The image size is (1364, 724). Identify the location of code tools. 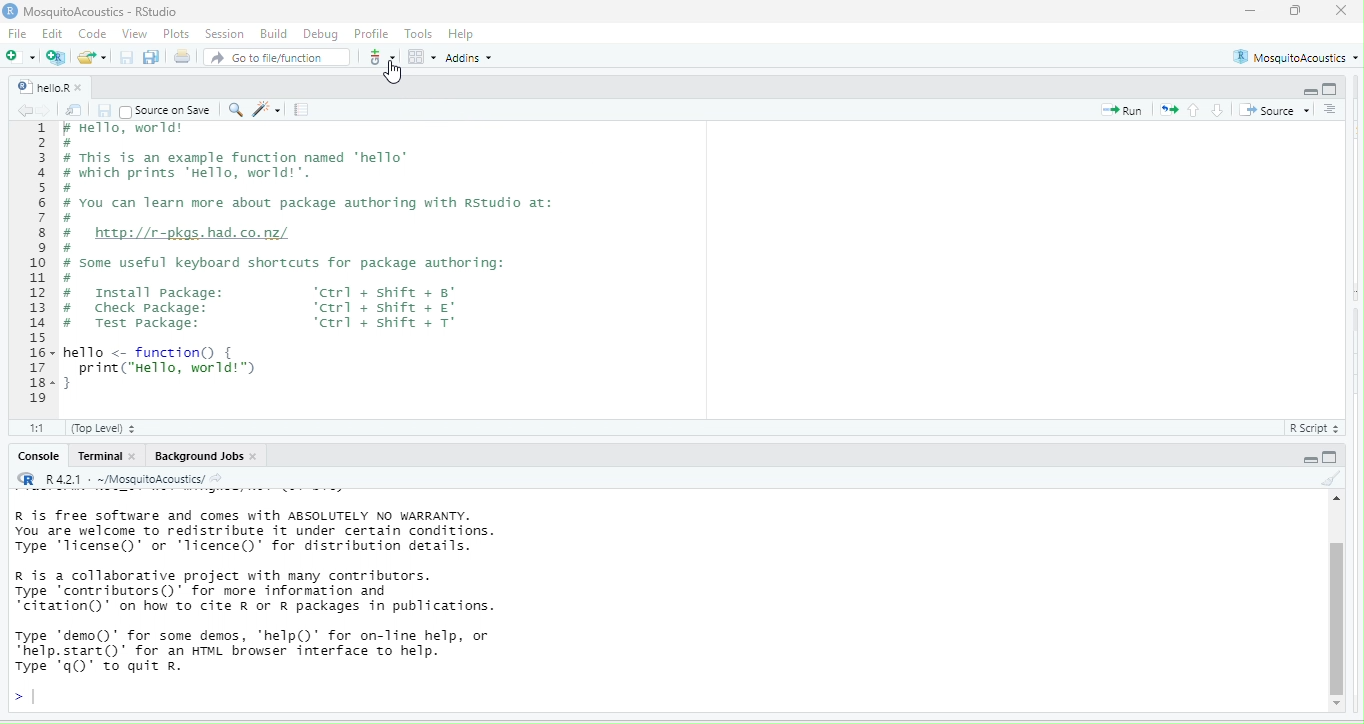
(269, 111).